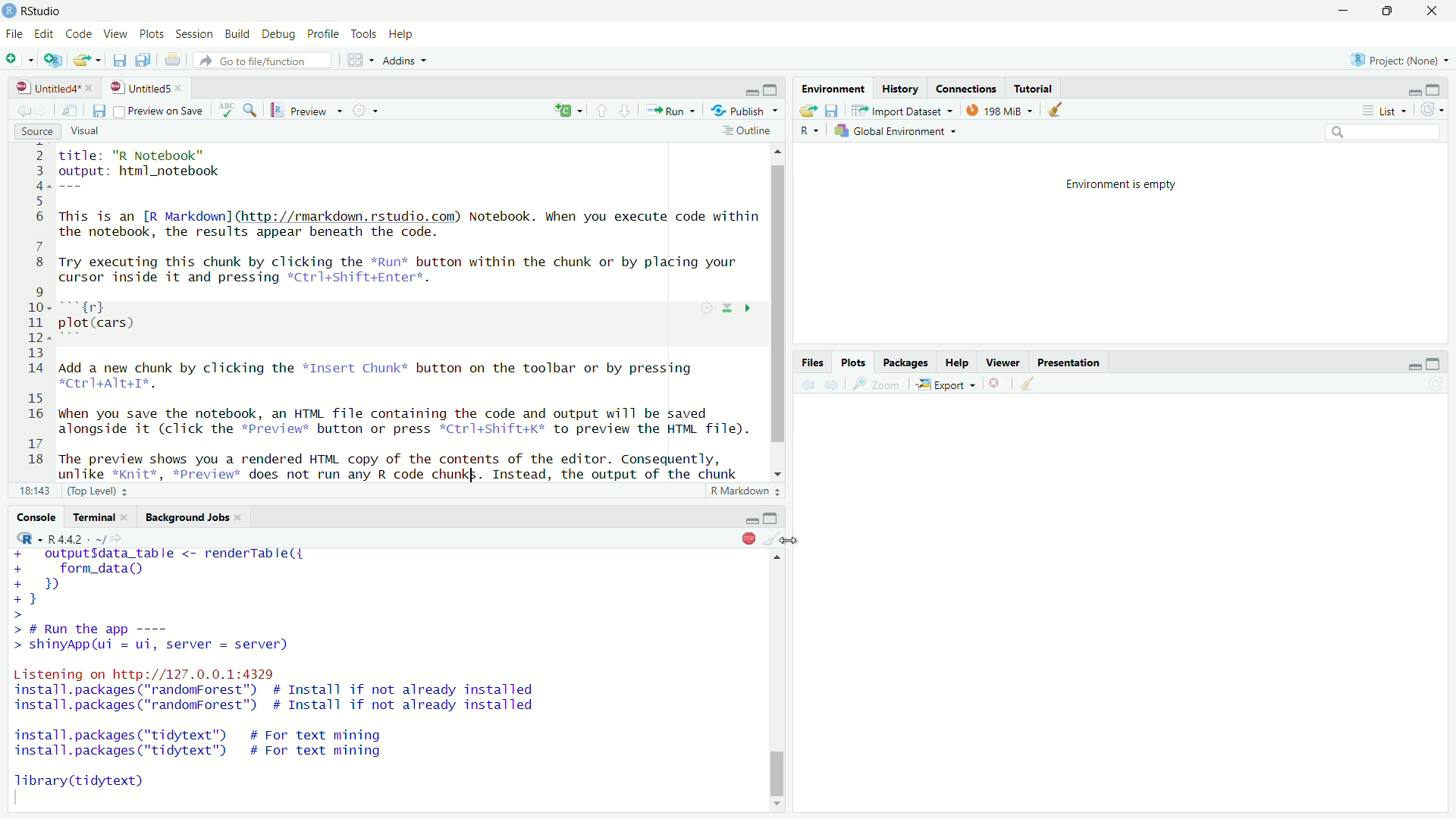 Image resolution: width=1456 pixels, height=819 pixels. I want to click on Import Dataset , so click(903, 110).